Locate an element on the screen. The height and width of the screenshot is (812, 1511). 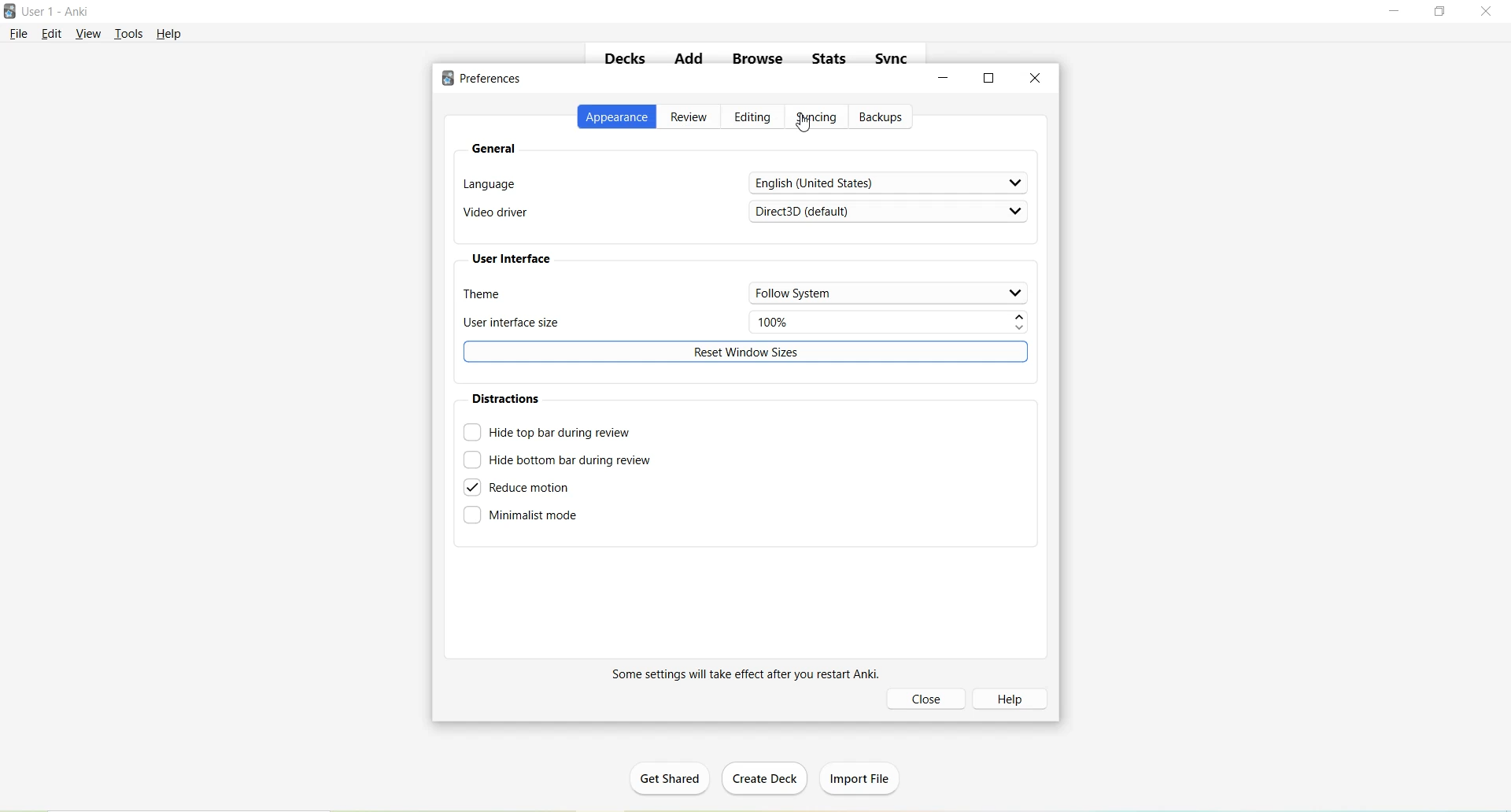
Get Shared is located at coordinates (676, 781).